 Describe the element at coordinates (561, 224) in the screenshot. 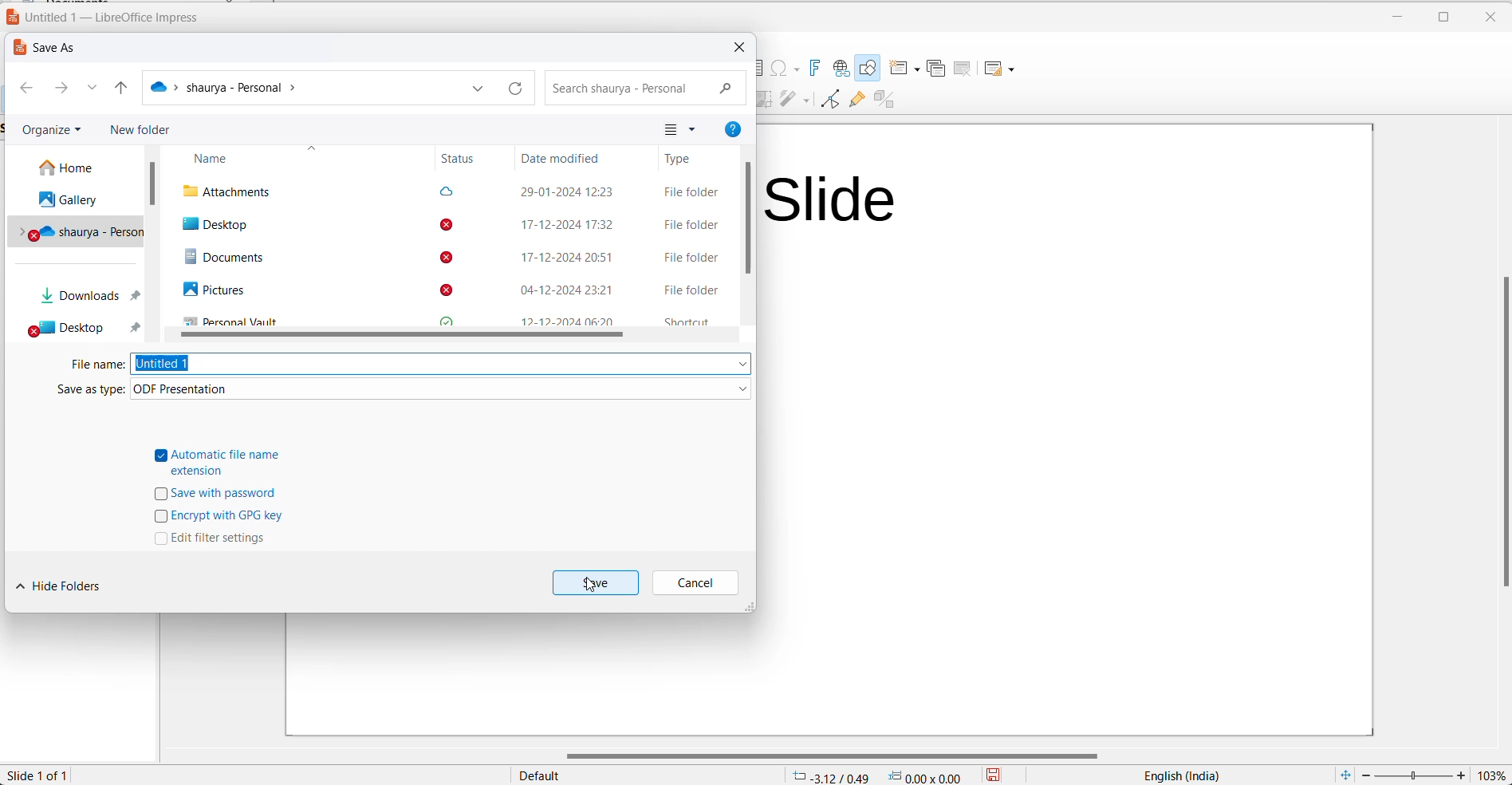

I see `17-12-2024 17:32` at that location.